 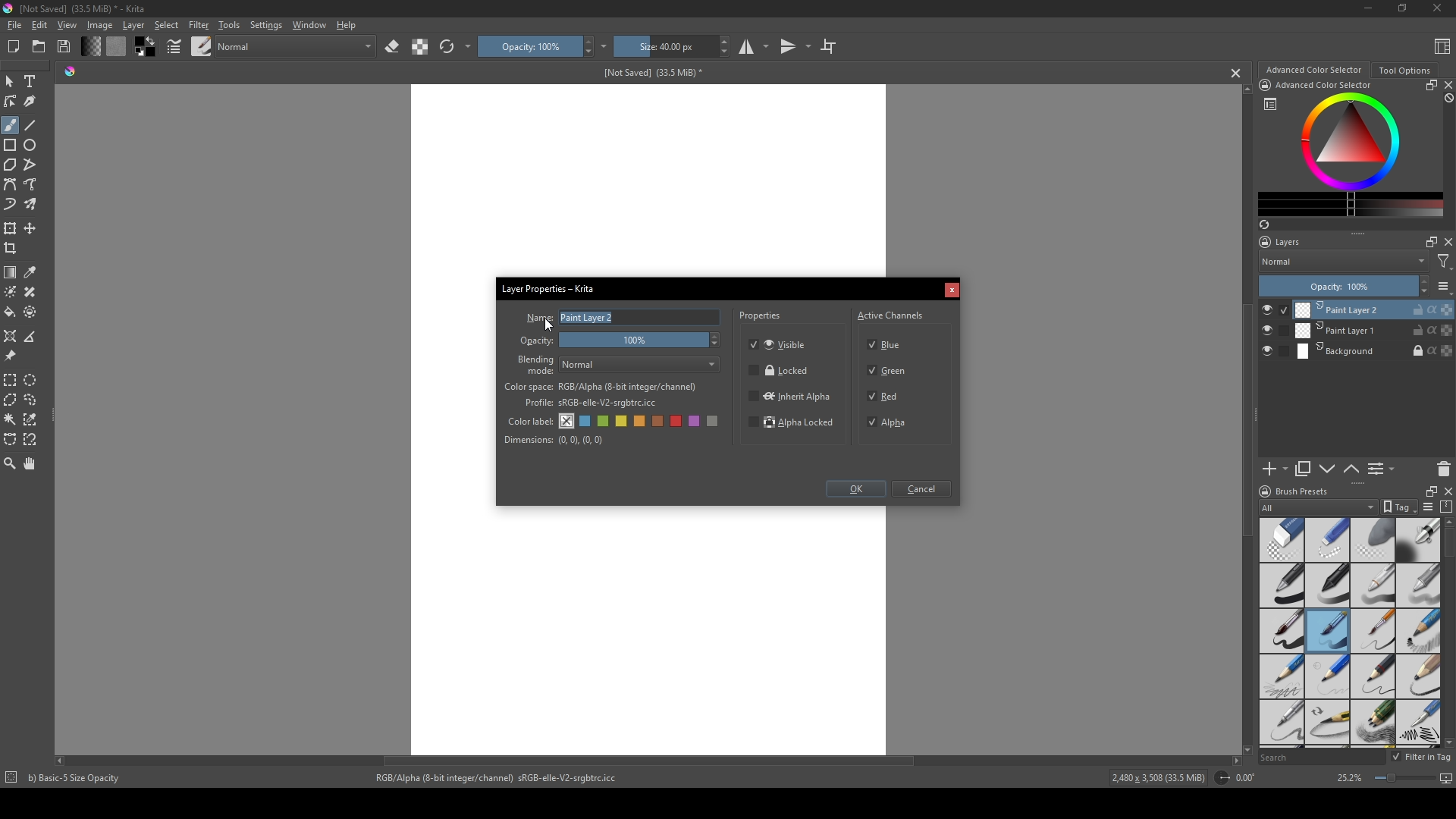 What do you see at coordinates (1442, 45) in the screenshot?
I see `Content` at bounding box center [1442, 45].